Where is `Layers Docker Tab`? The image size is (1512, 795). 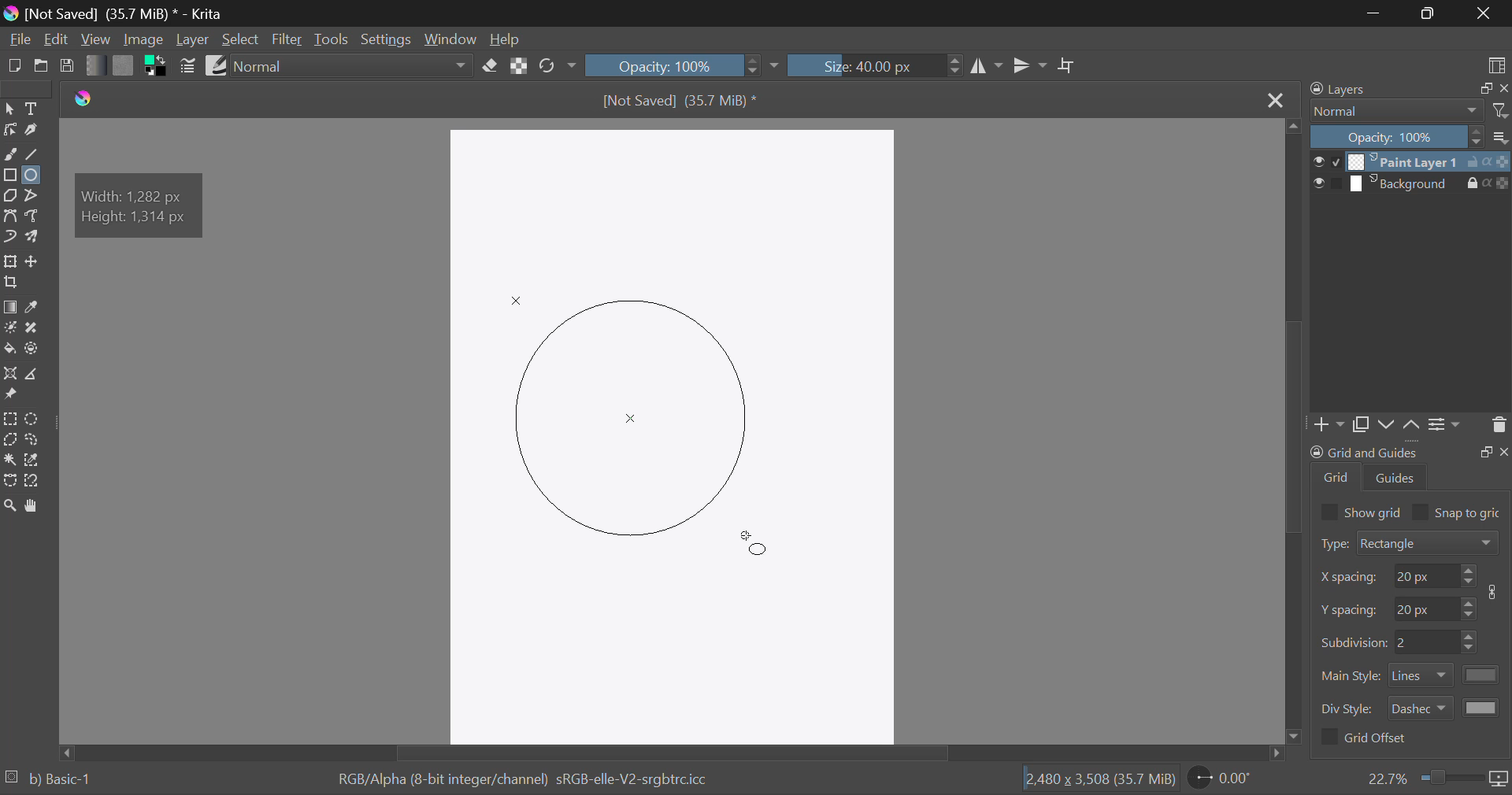 Layers Docker Tab is located at coordinates (1405, 91).